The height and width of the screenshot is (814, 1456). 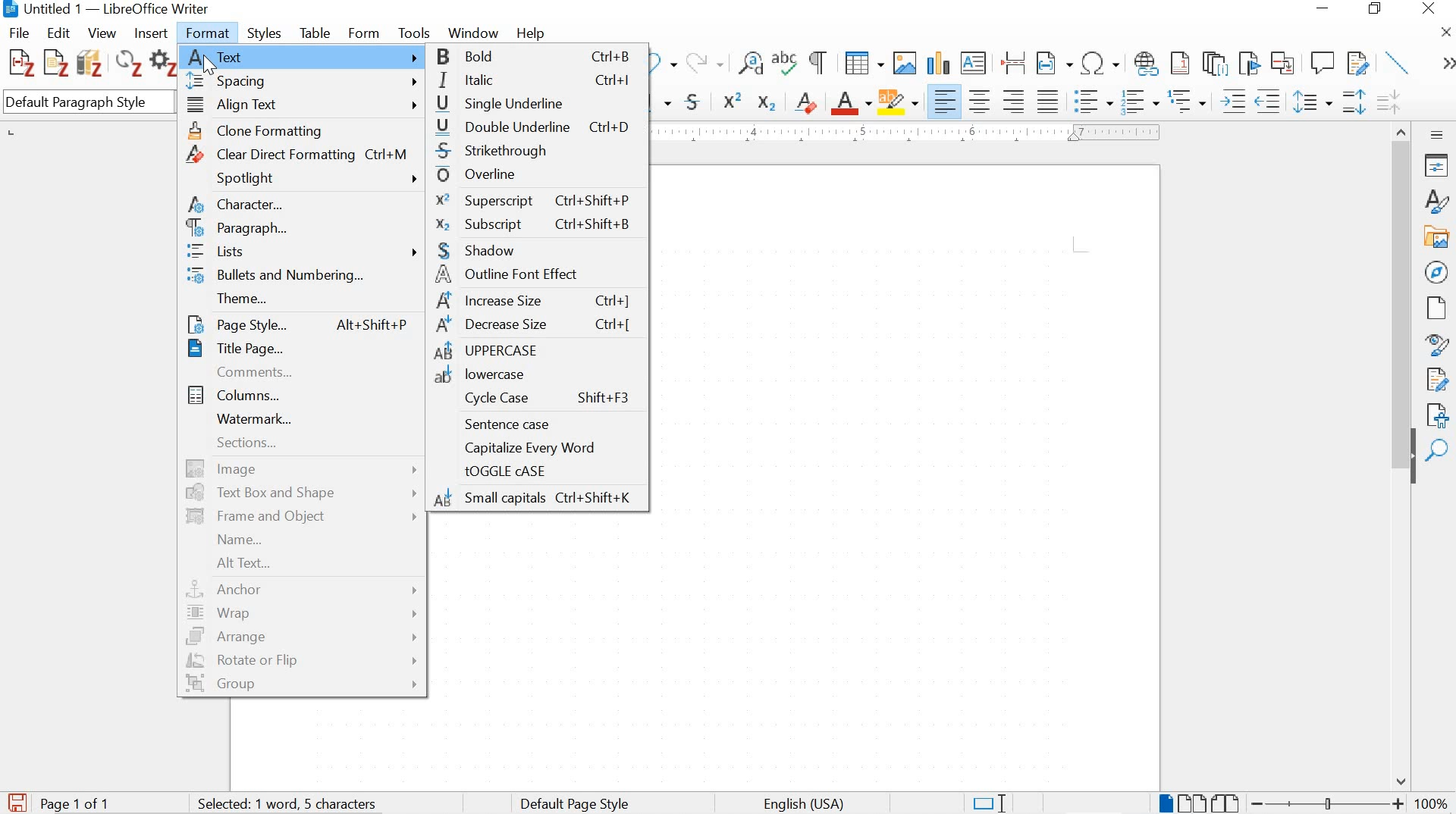 What do you see at coordinates (301, 299) in the screenshot?
I see `theme` at bounding box center [301, 299].